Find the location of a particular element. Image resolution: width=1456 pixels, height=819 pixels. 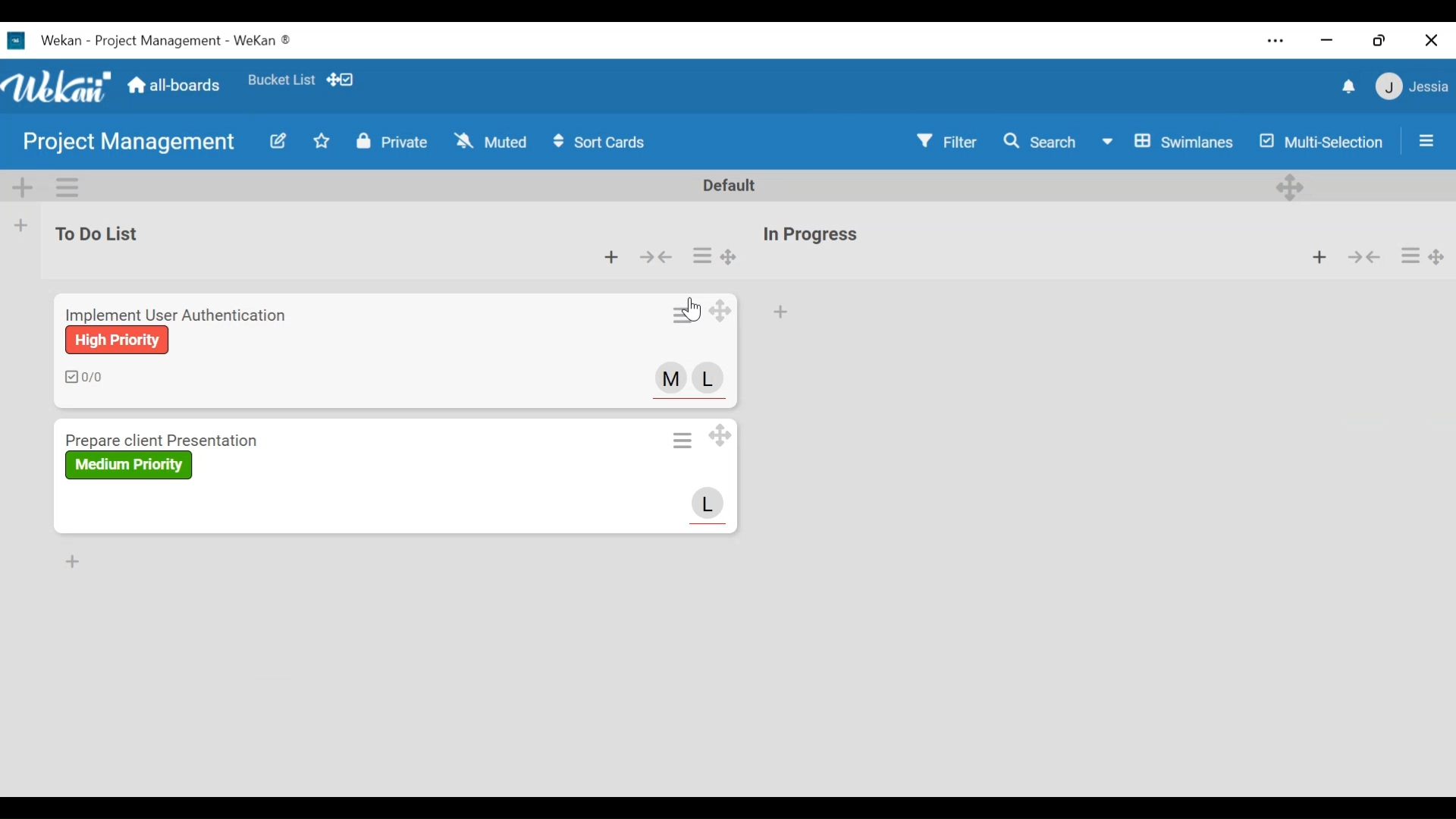

Favorites is located at coordinates (279, 80).